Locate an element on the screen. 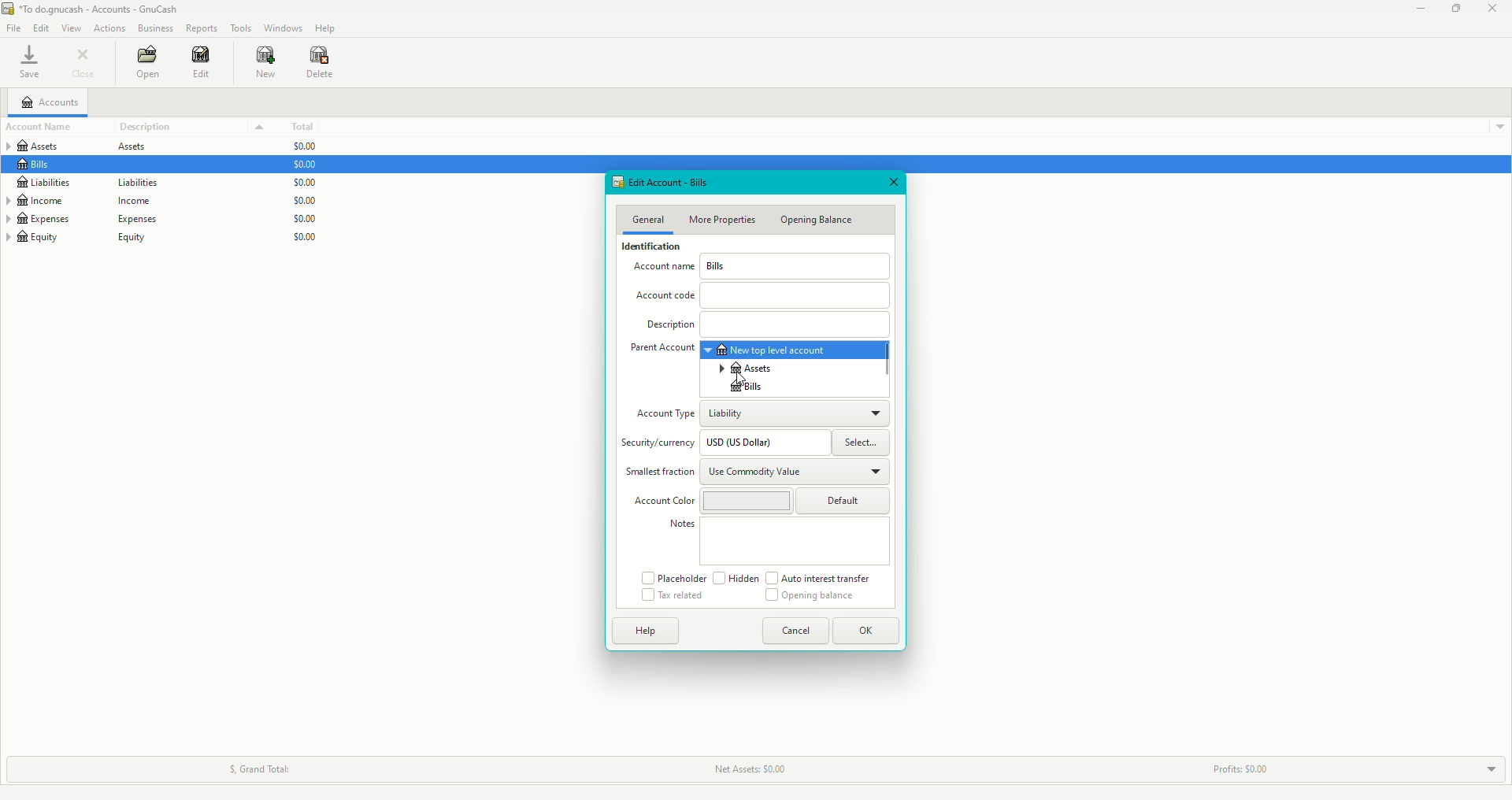 This screenshot has height=800, width=1512. Restore is located at coordinates (1455, 9).